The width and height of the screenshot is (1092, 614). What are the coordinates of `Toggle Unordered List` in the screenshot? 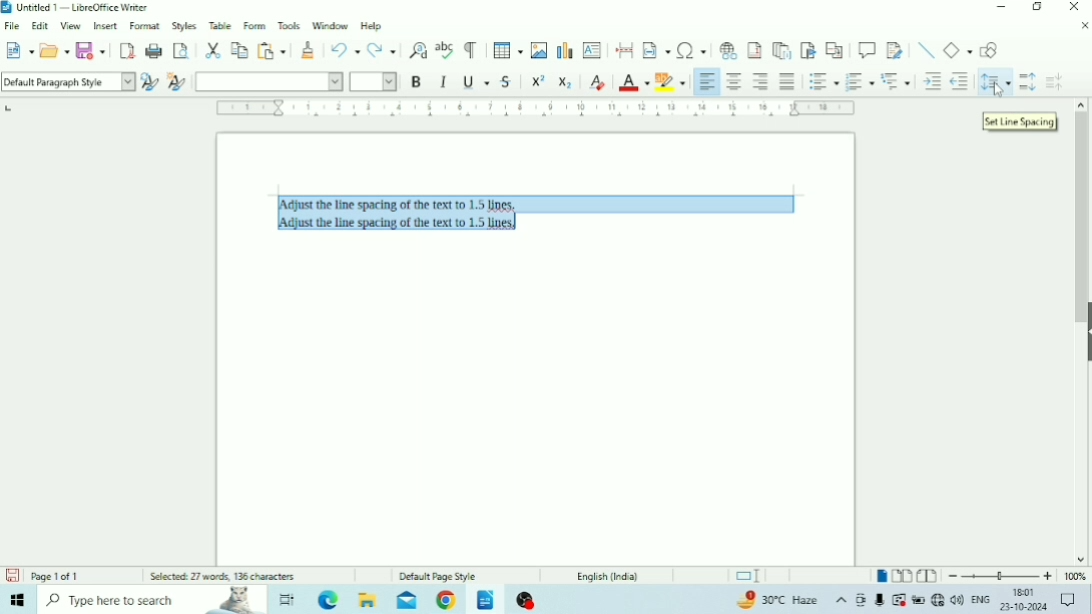 It's located at (822, 79).